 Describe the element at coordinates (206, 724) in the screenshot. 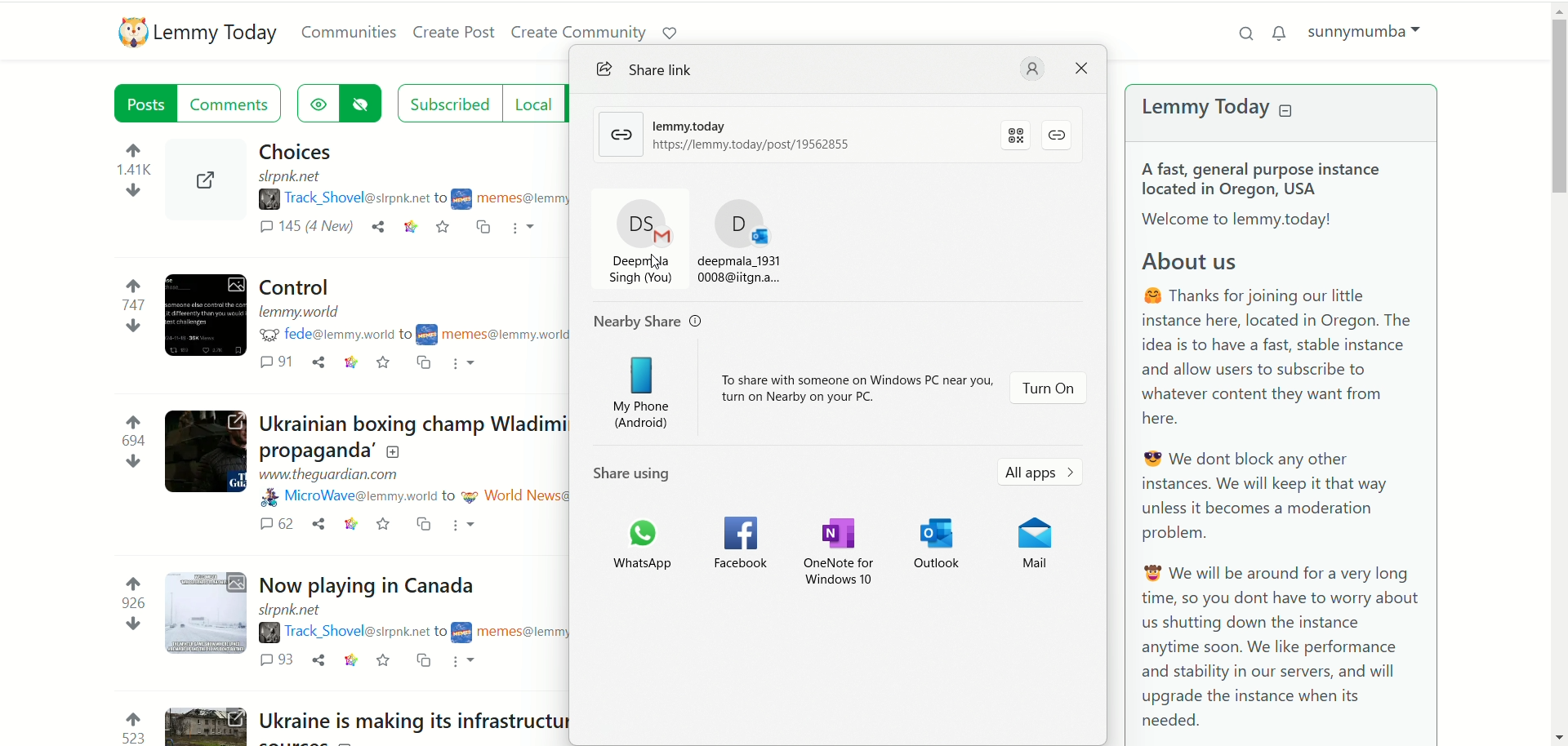

I see `Expand the post with the image` at that location.